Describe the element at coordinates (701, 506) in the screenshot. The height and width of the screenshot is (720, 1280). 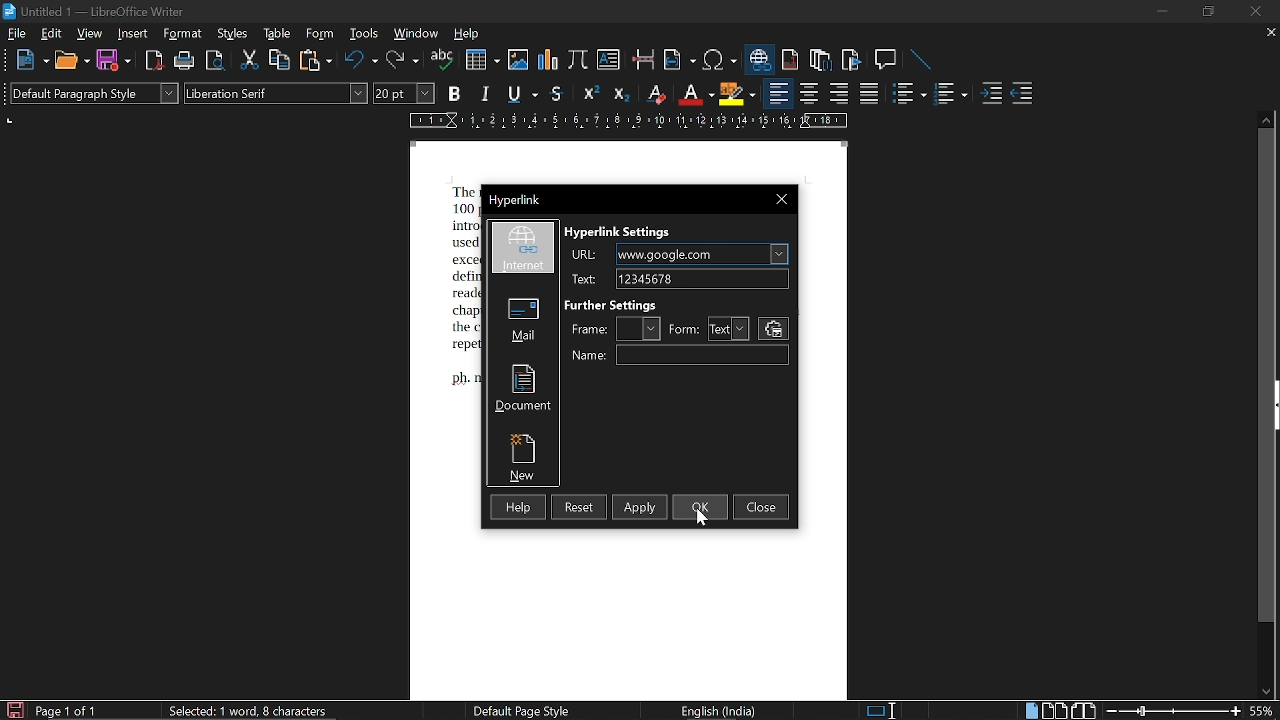
I see `ok` at that location.